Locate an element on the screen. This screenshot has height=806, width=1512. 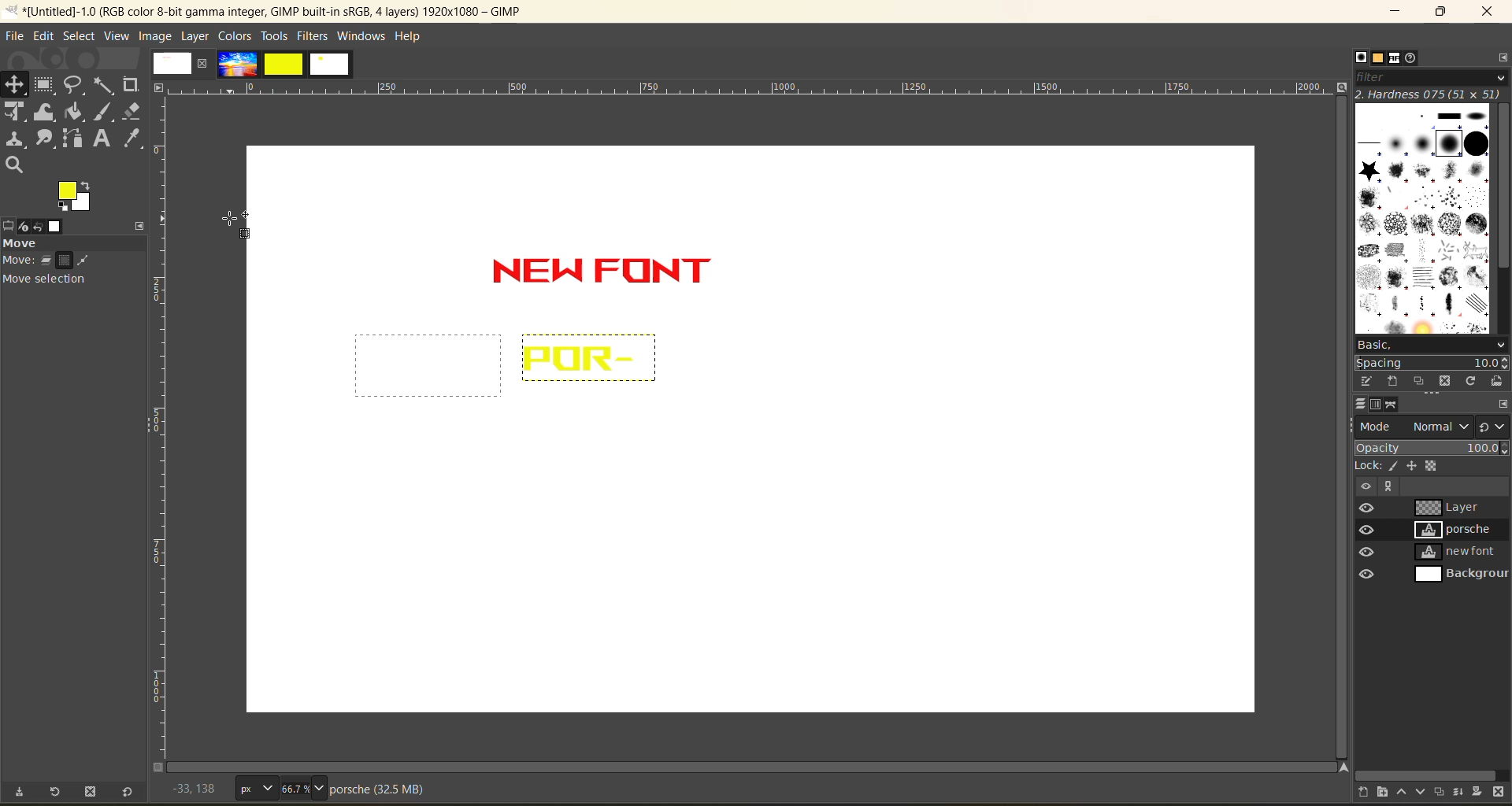
horizontal ruler is located at coordinates (747, 87).